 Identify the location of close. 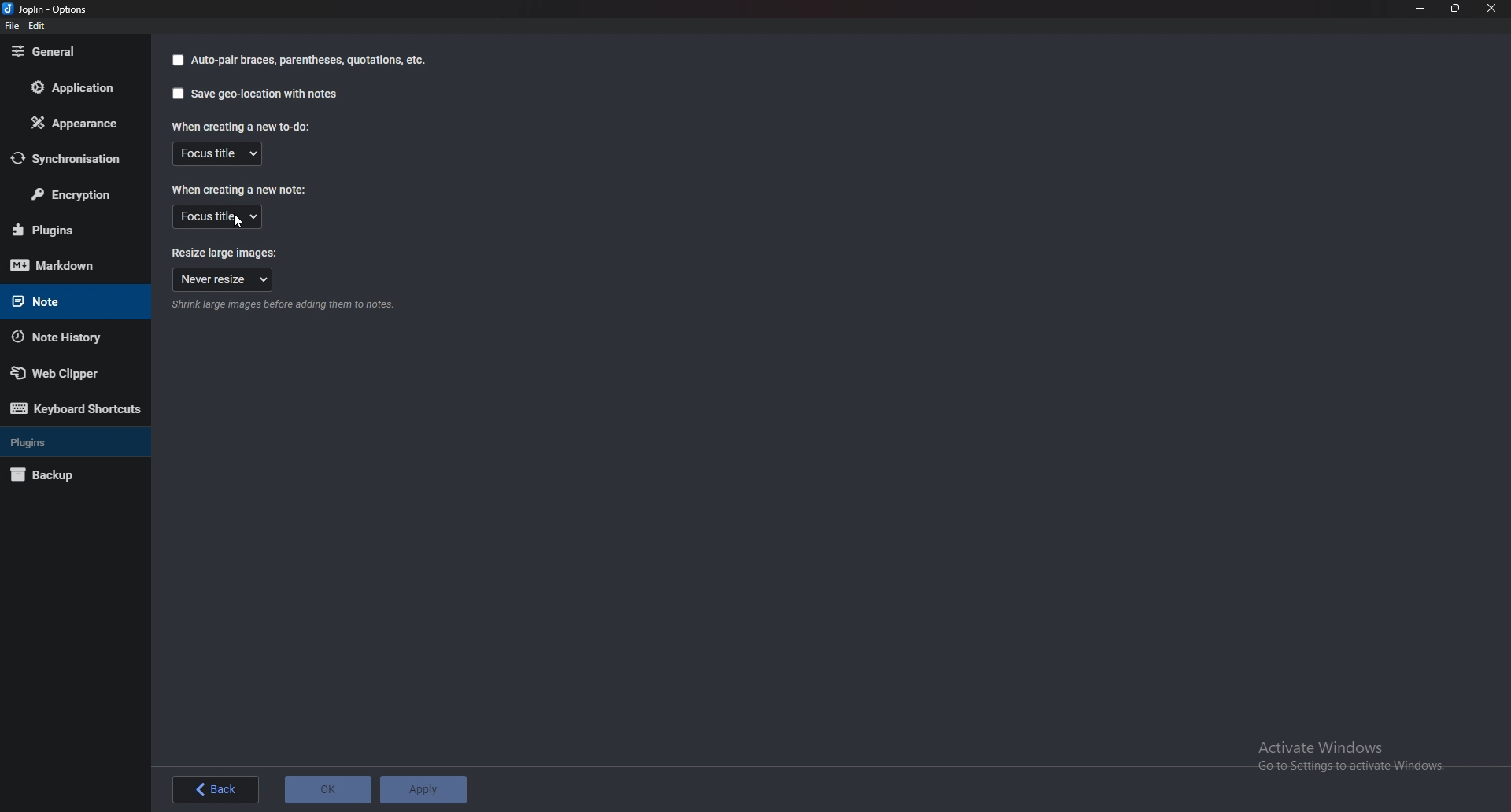
(1491, 9).